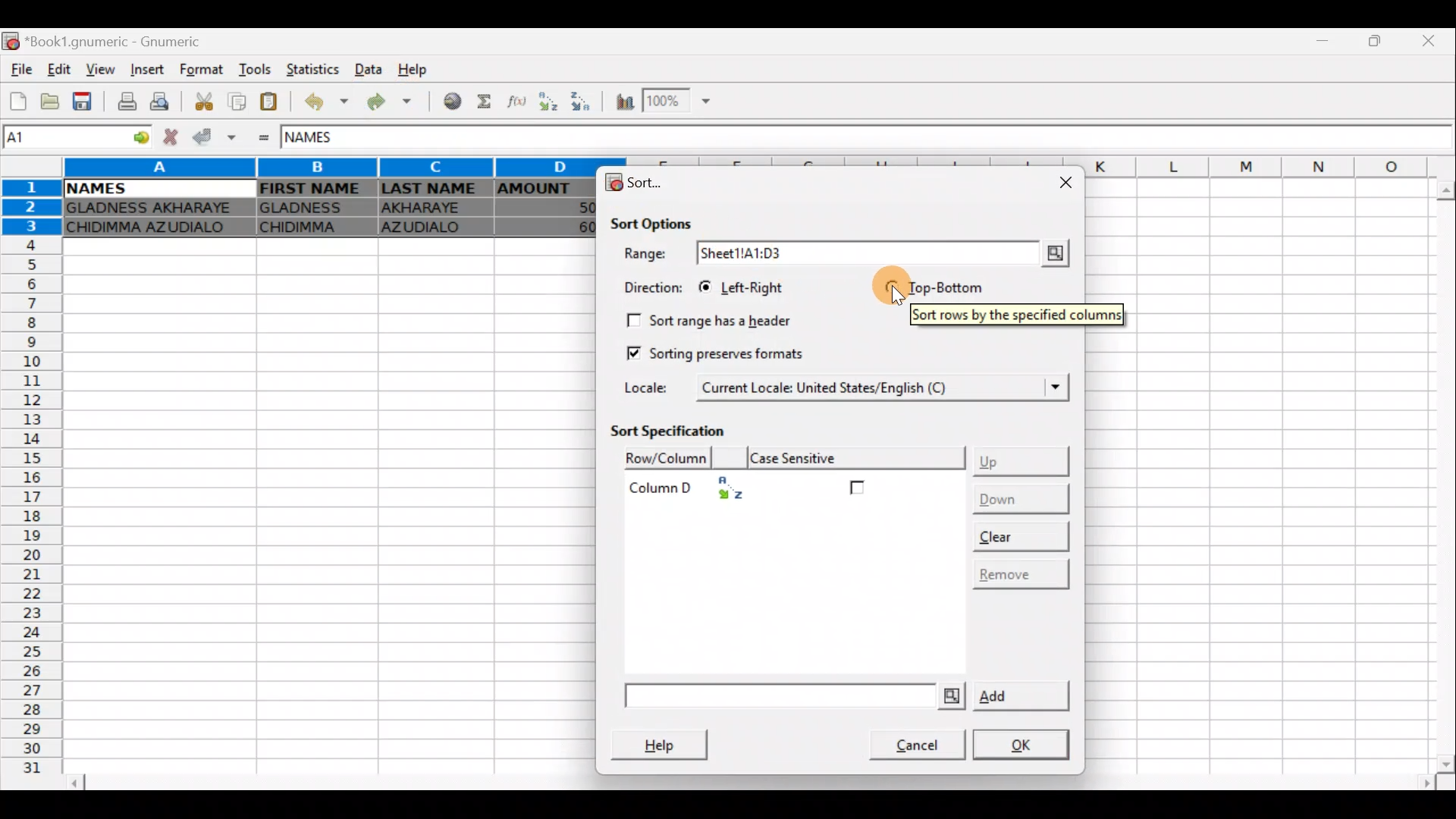 The height and width of the screenshot is (819, 1456). I want to click on Columns, so click(324, 166).